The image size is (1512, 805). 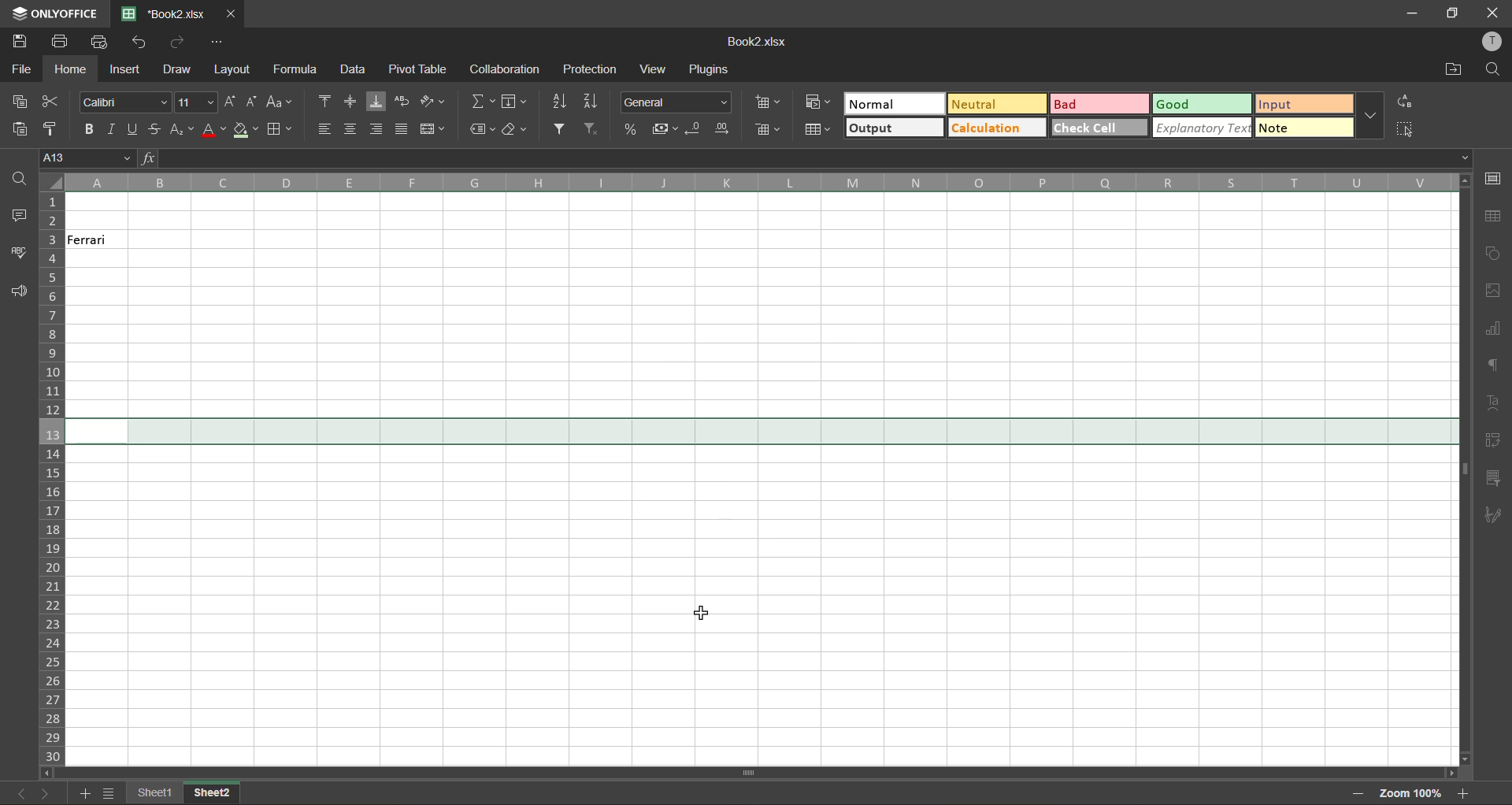 What do you see at coordinates (131, 129) in the screenshot?
I see `underline` at bounding box center [131, 129].